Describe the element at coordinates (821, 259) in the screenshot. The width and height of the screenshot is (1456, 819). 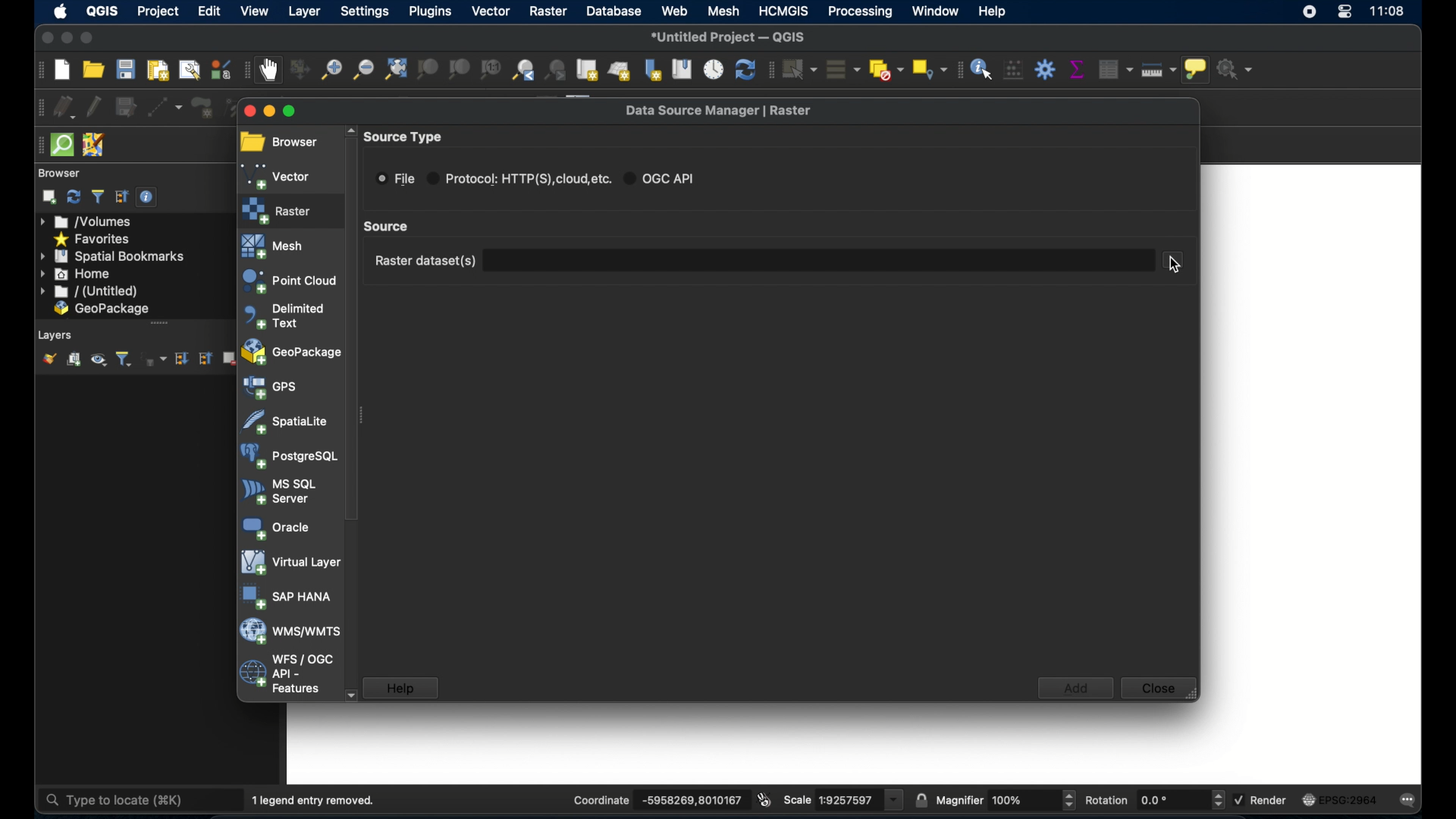
I see `textbox` at that location.